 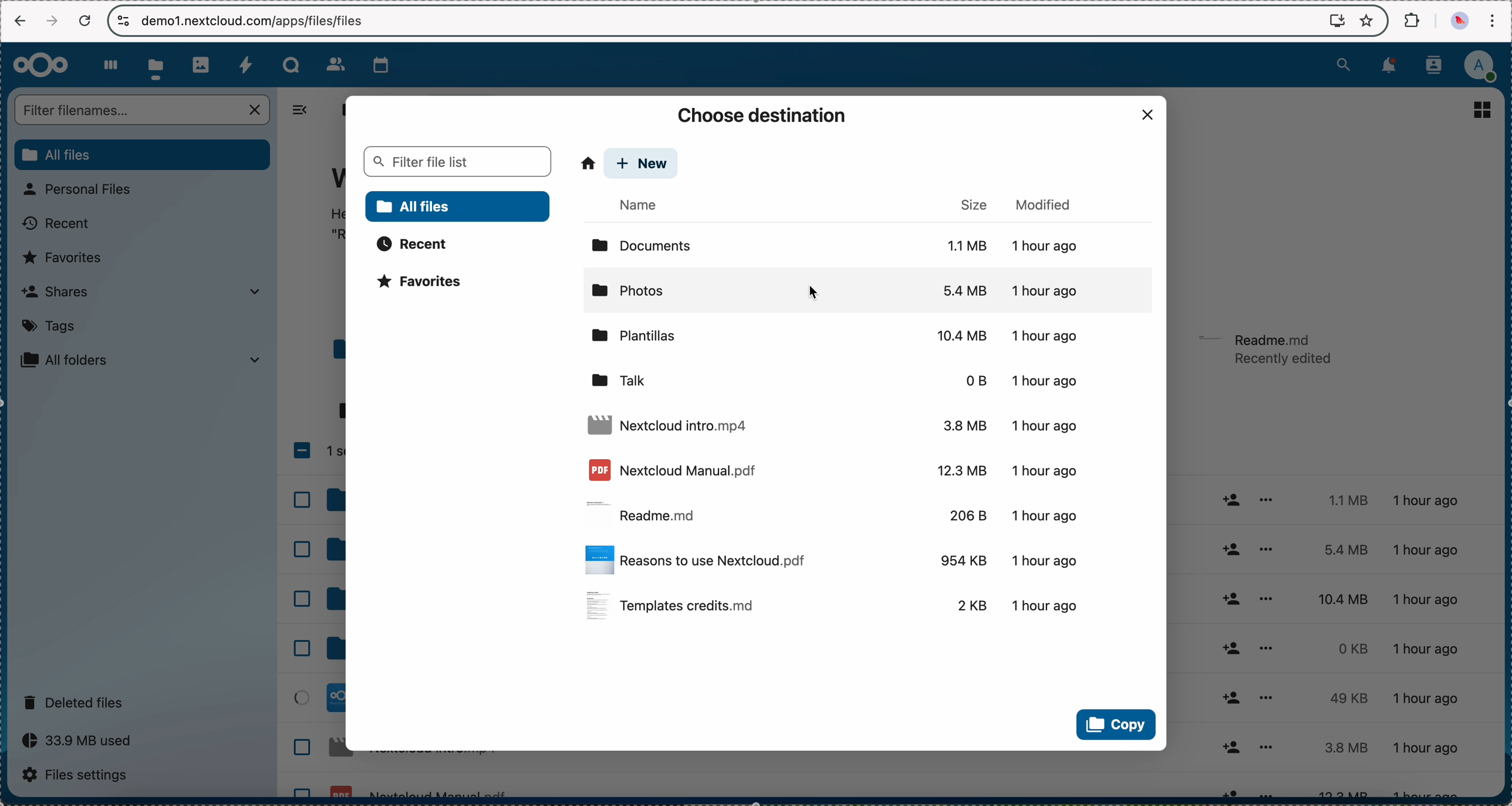 What do you see at coordinates (588, 163) in the screenshot?
I see `home icon` at bounding box center [588, 163].